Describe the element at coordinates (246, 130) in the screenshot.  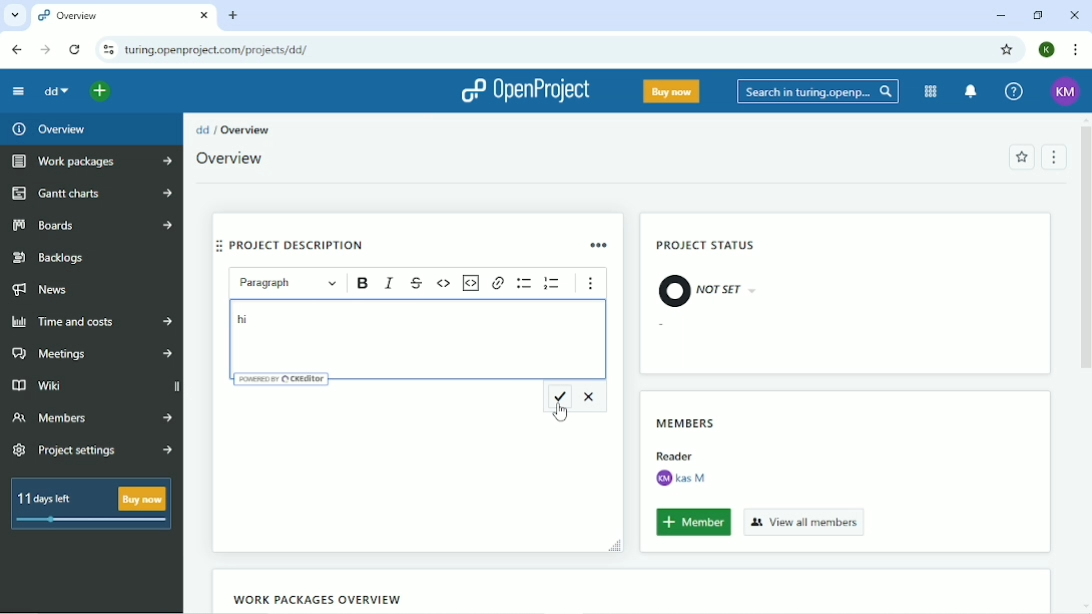
I see `Overview` at that location.